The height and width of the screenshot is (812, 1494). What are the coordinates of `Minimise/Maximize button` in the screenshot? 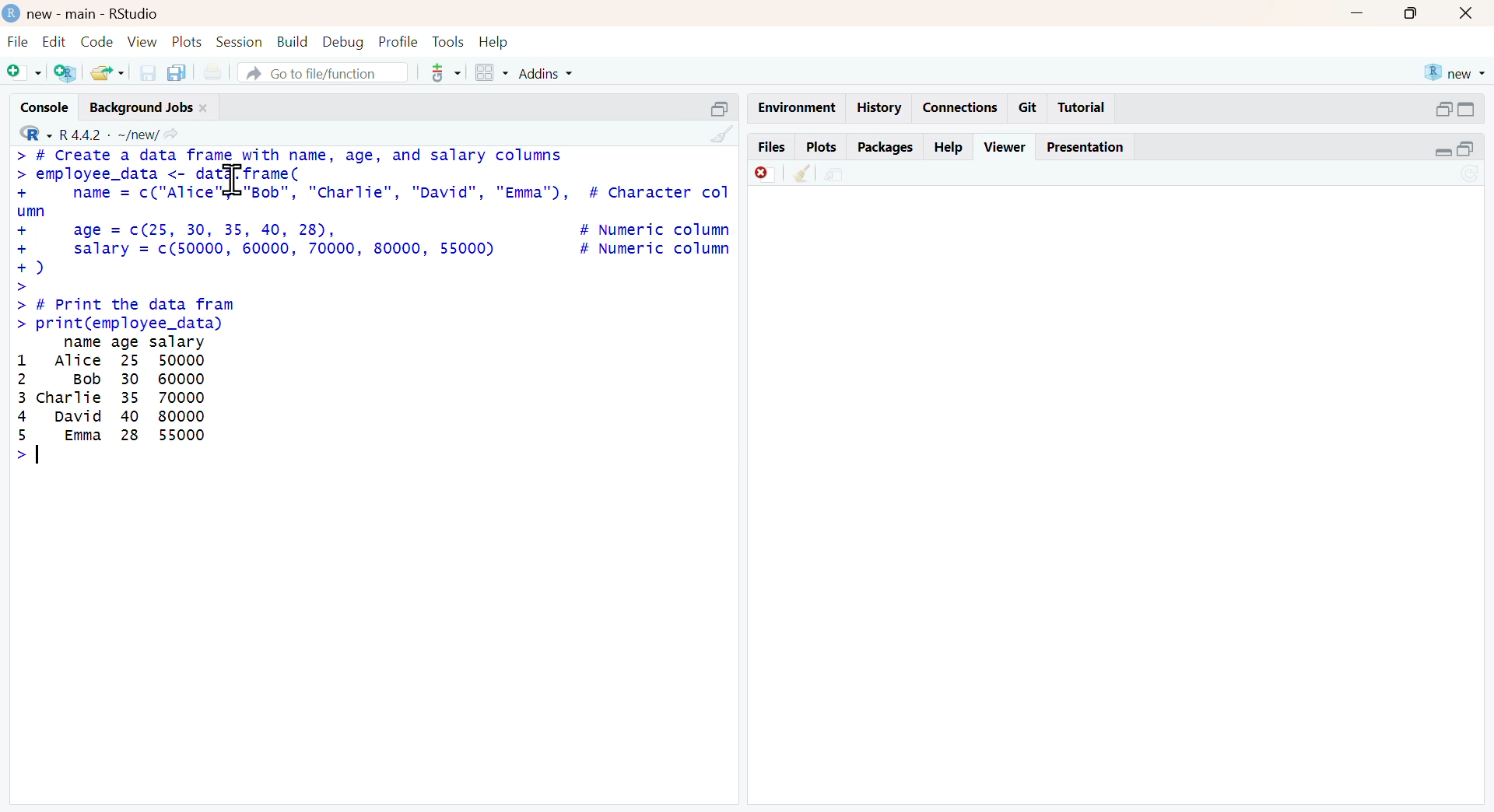 It's located at (1457, 109).